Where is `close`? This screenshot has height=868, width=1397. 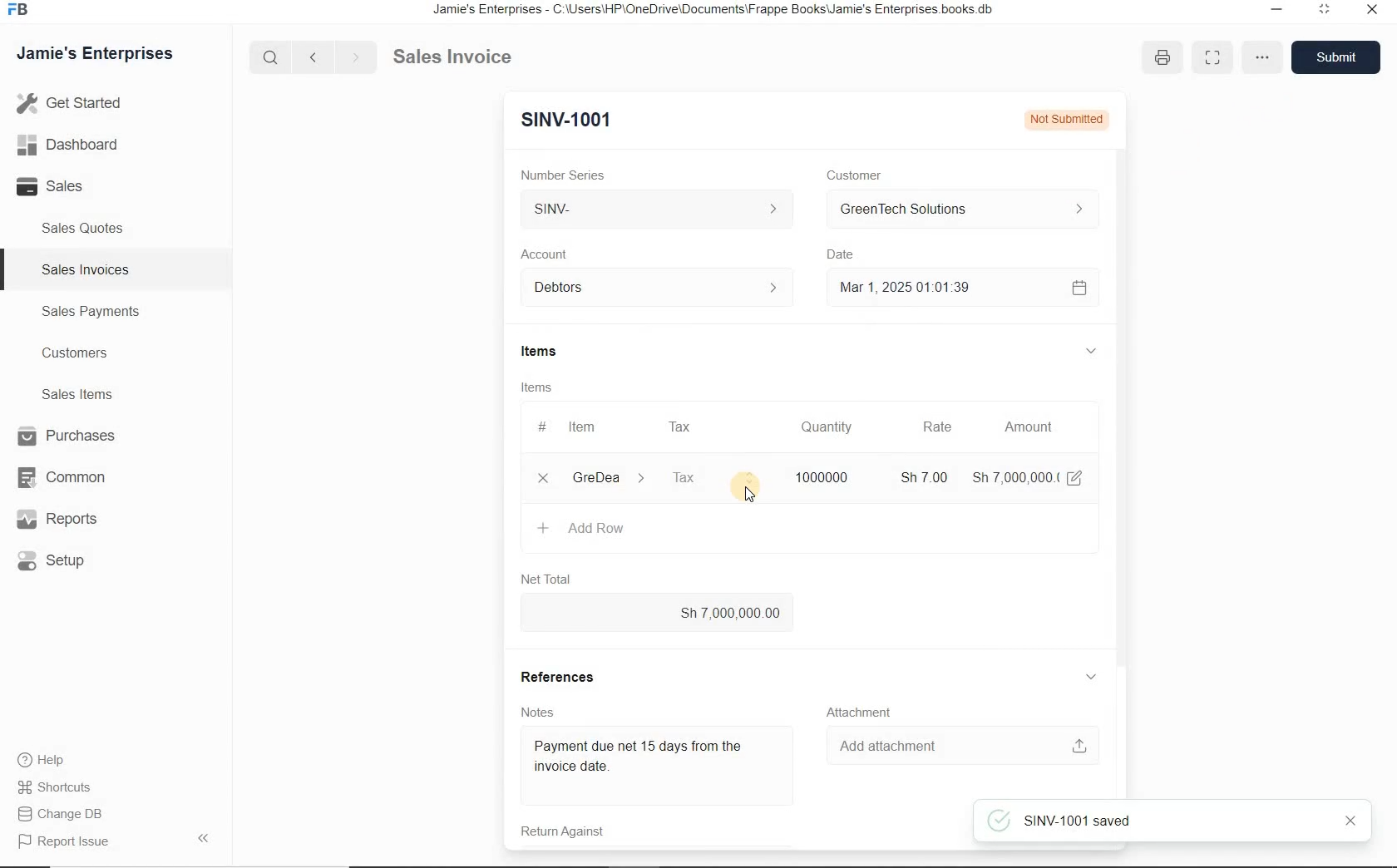
close is located at coordinates (1373, 13).